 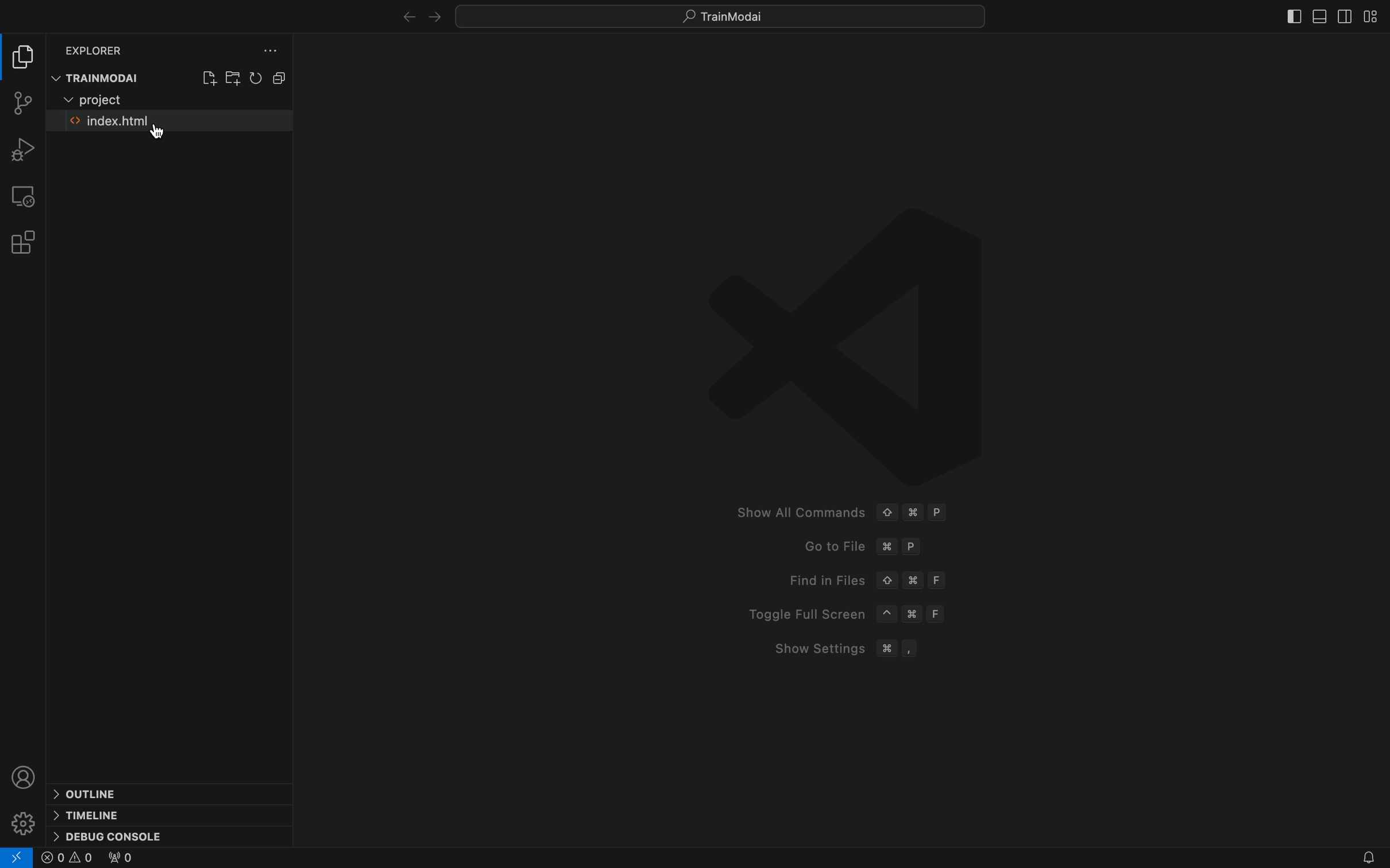 What do you see at coordinates (149, 123) in the screenshot?
I see `file` at bounding box center [149, 123].